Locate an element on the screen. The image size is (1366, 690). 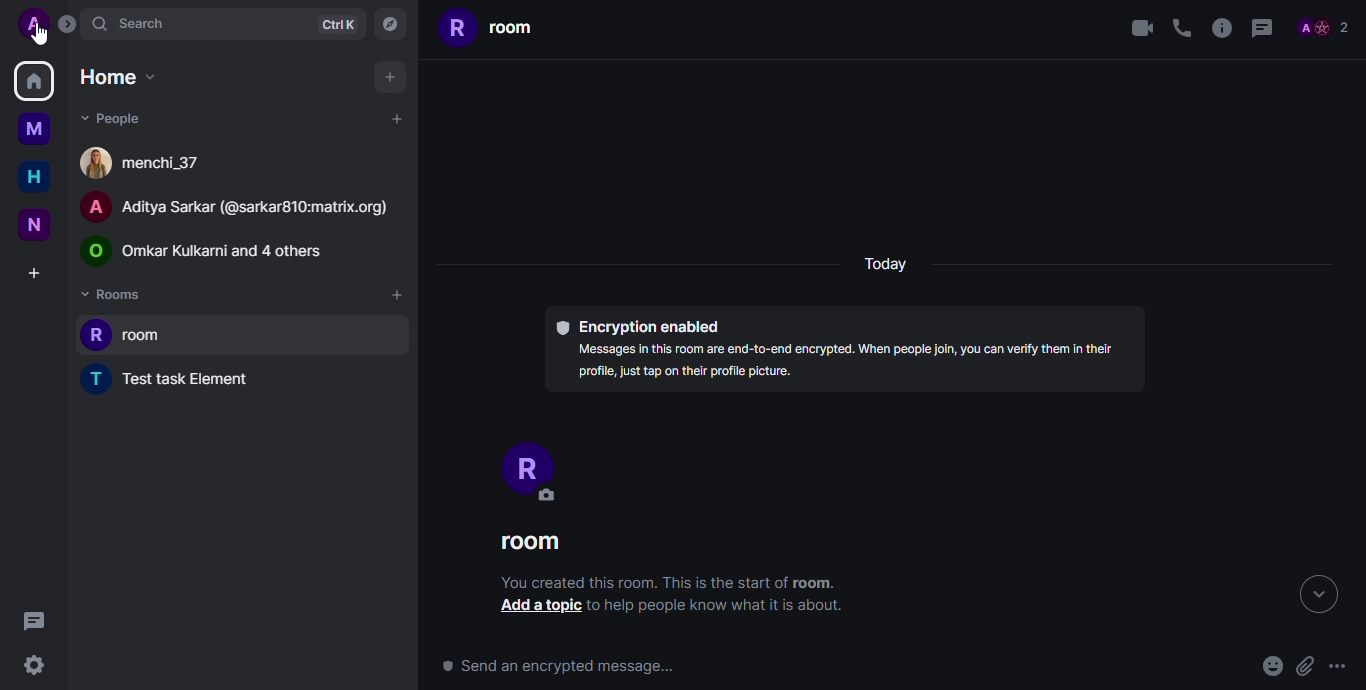
home is located at coordinates (34, 80).